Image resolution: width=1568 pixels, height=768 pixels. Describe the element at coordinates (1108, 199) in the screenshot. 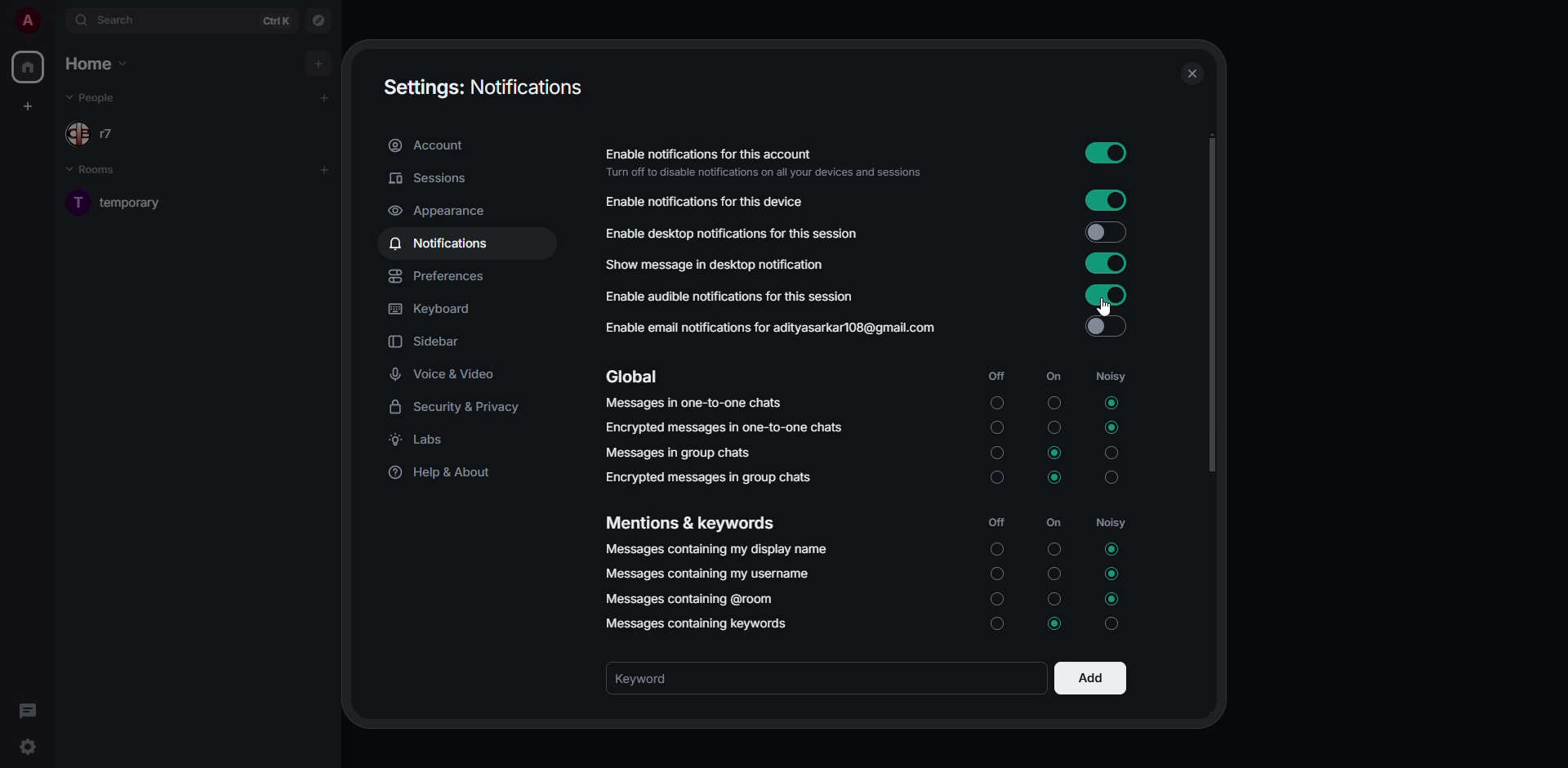

I see `enabled` at that location.